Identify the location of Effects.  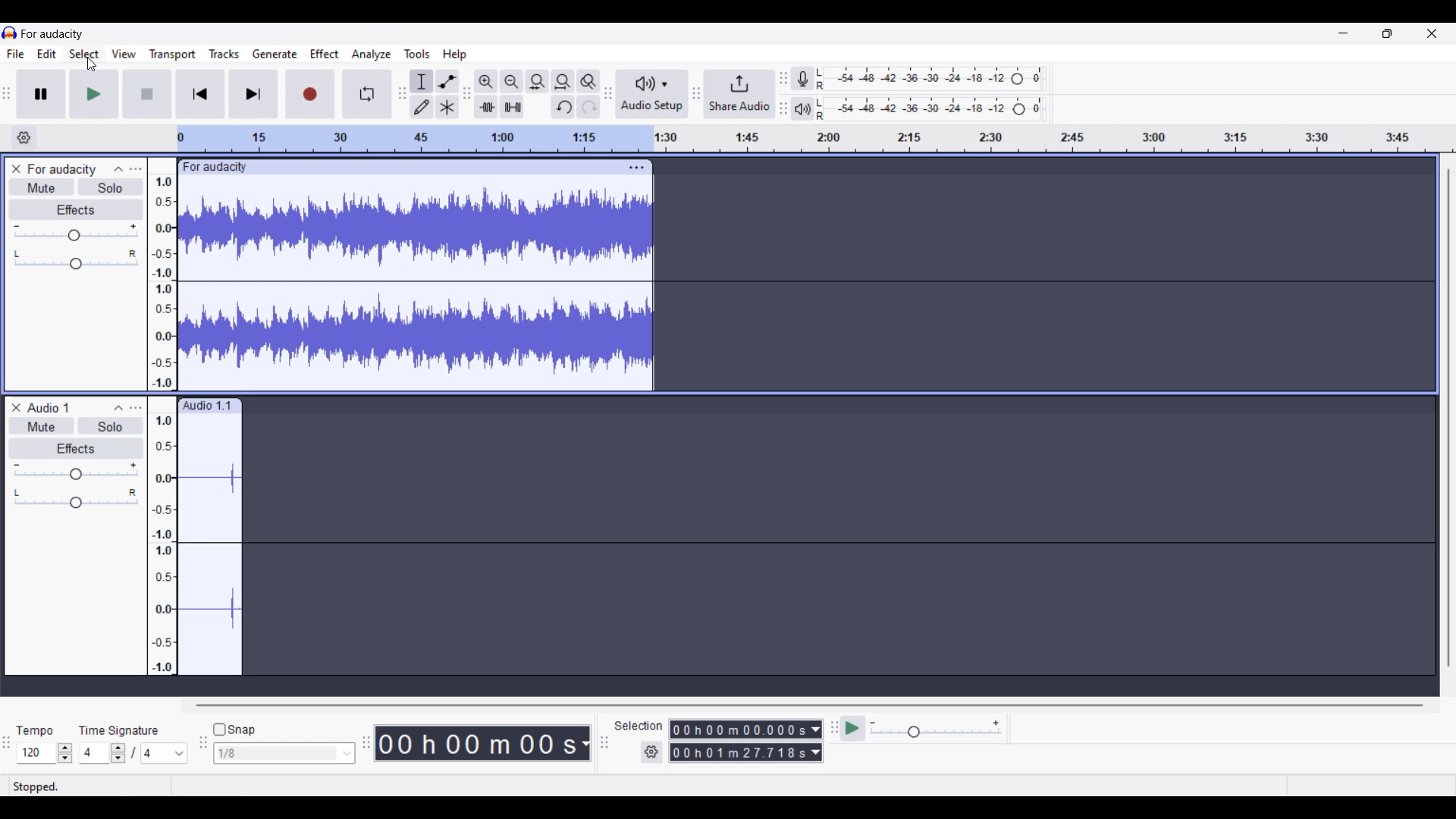
(76, 209).